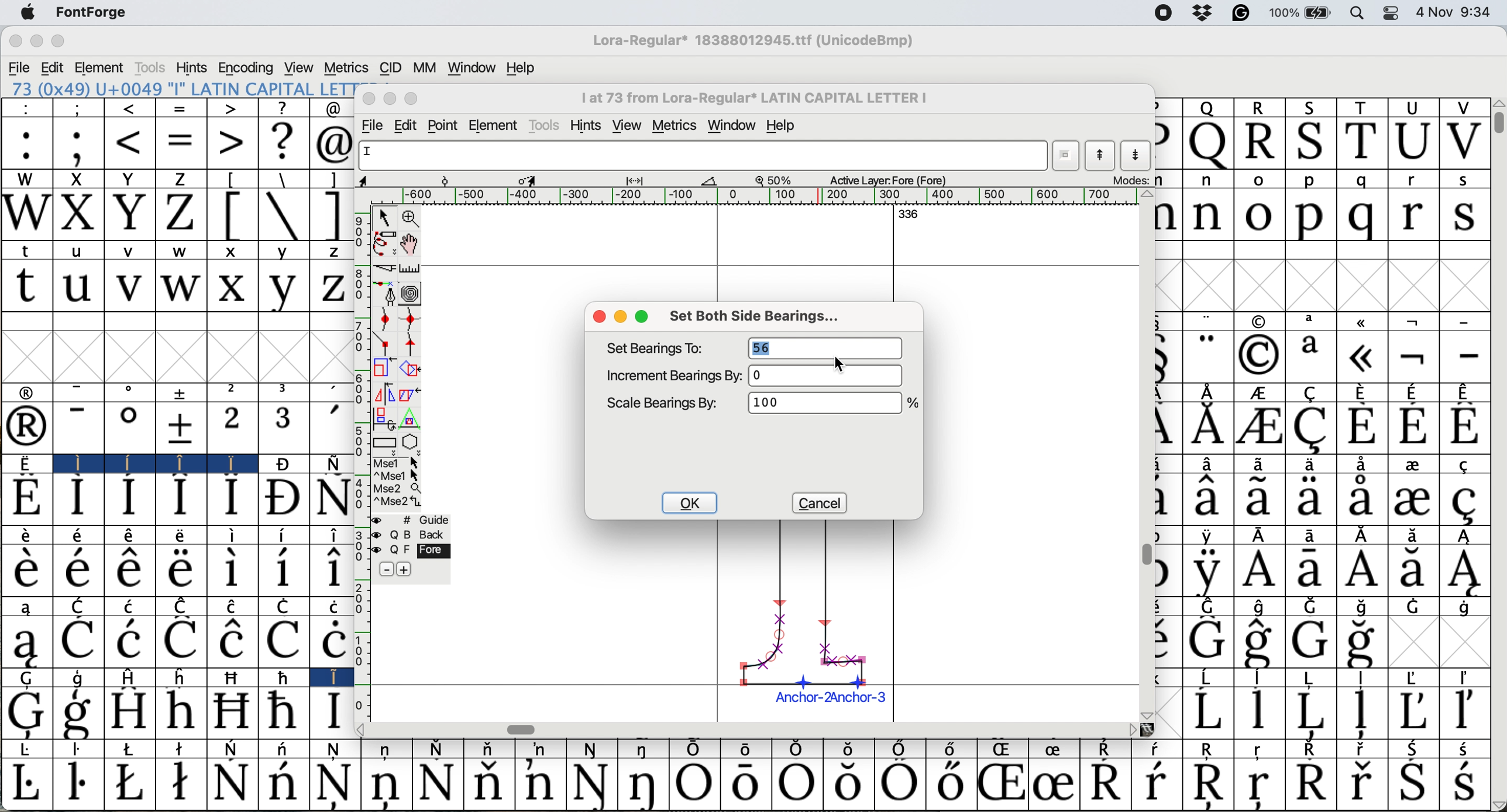 The height and width of the screenshot is (812, 1507). What do you see at coordinates (386, 267) in the screenshot?
I see `cut splines in two` at bounding box center [386, 267].